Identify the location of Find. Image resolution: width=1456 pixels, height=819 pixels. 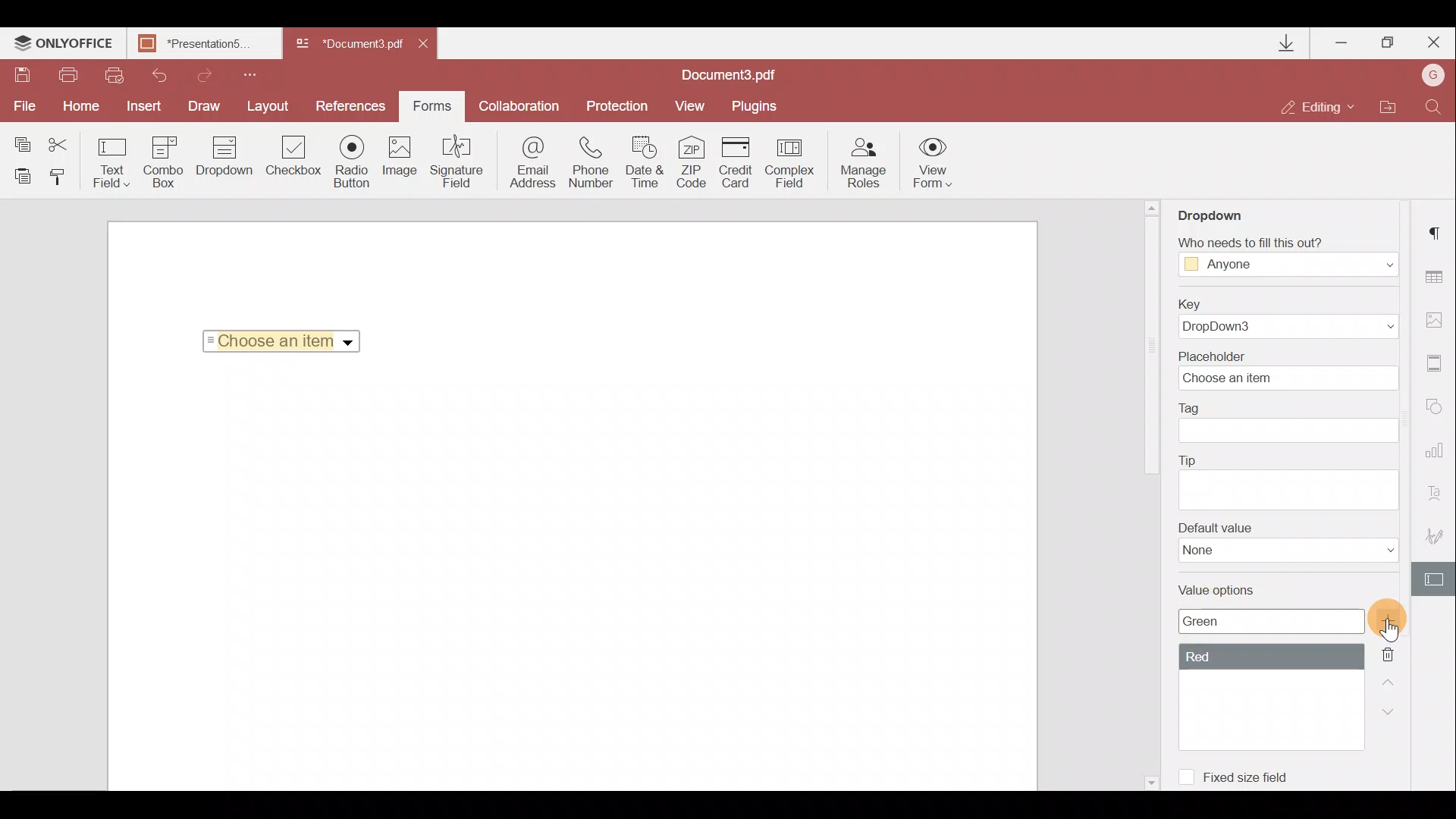
(1436, 106).